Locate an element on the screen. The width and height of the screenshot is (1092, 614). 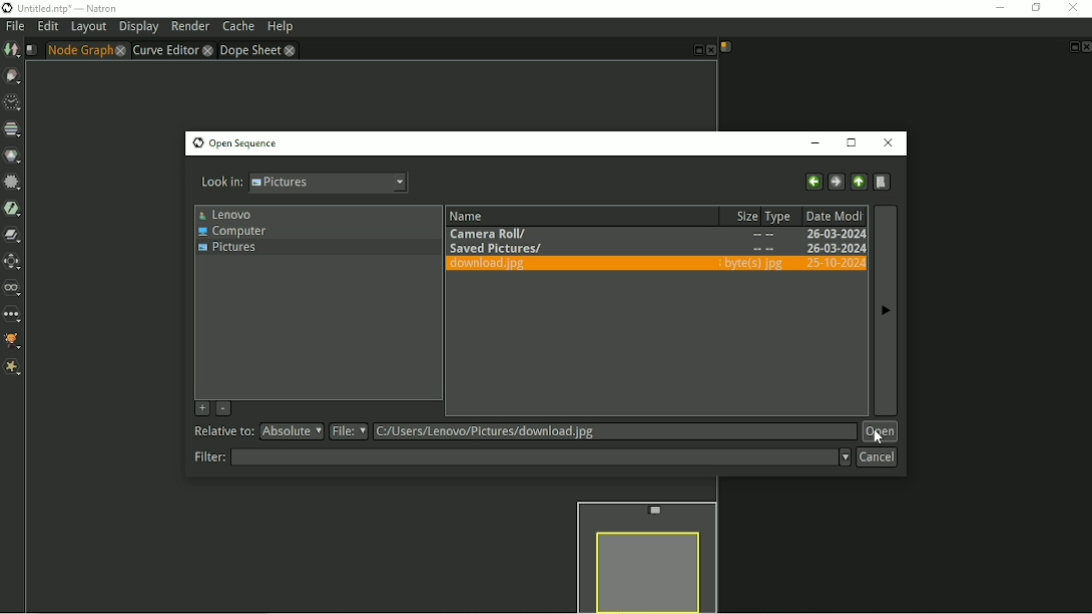
26-03-2024 is located at coordinates (831, 248).